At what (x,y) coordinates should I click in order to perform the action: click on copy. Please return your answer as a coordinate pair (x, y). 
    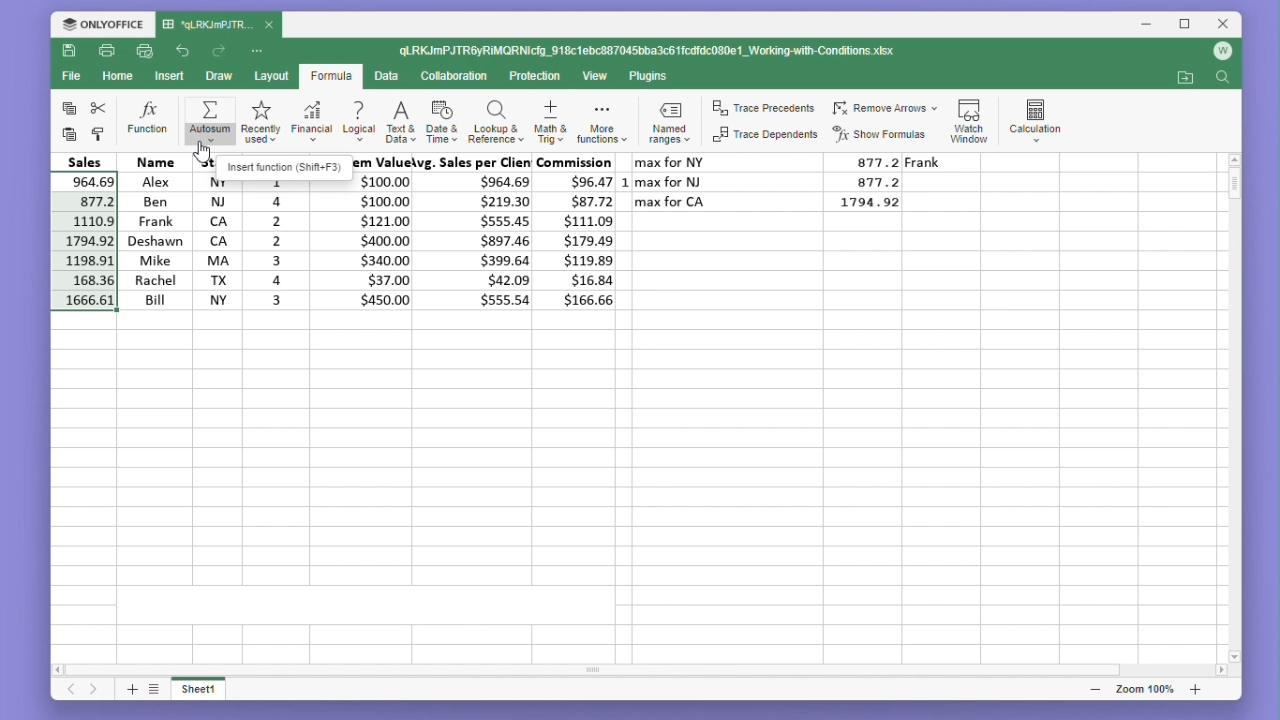
    Looking at the image, I should click on (66, 108).